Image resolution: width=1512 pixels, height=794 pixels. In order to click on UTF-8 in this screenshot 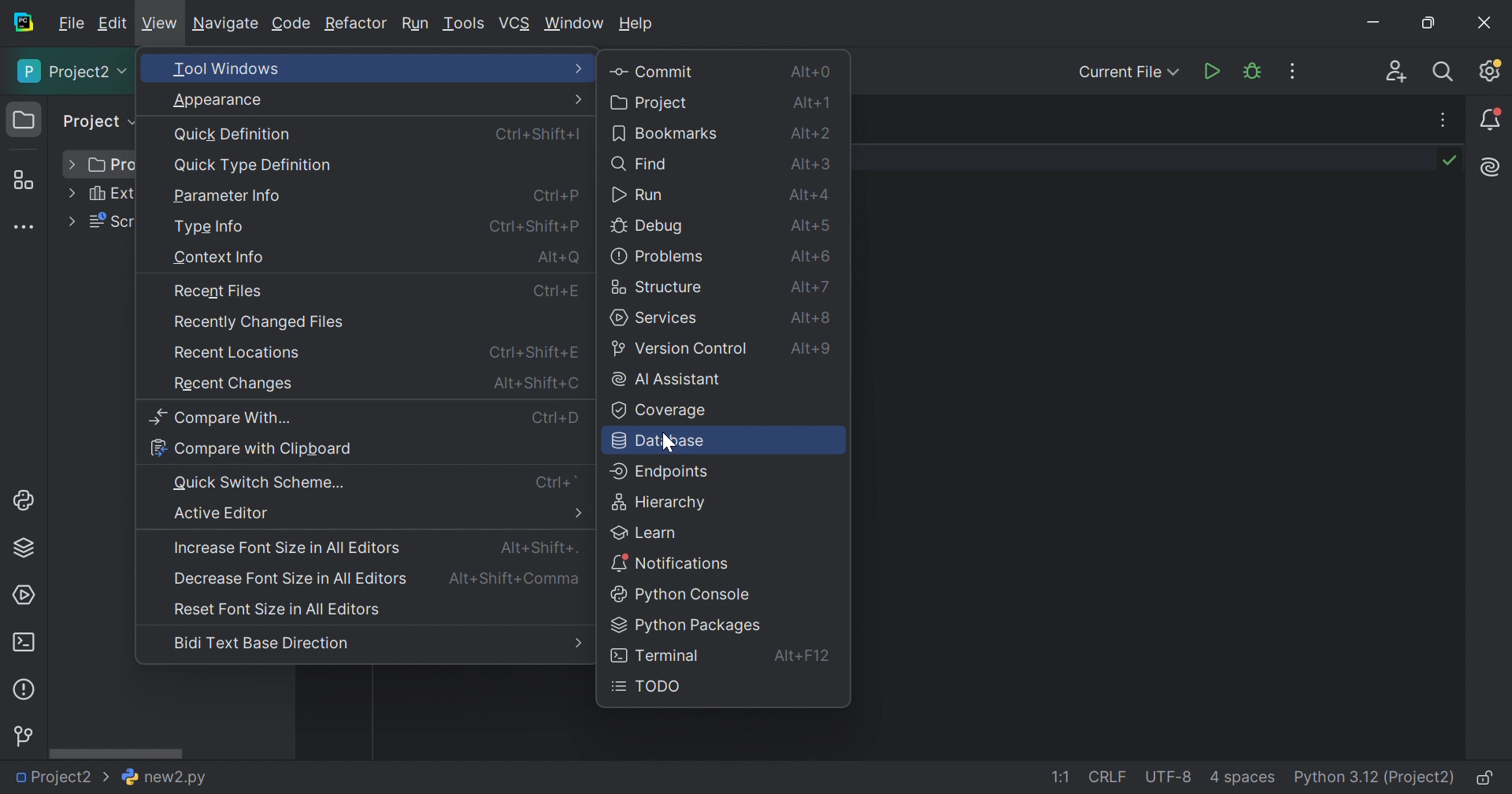, I will do `click(1169, 777)`.